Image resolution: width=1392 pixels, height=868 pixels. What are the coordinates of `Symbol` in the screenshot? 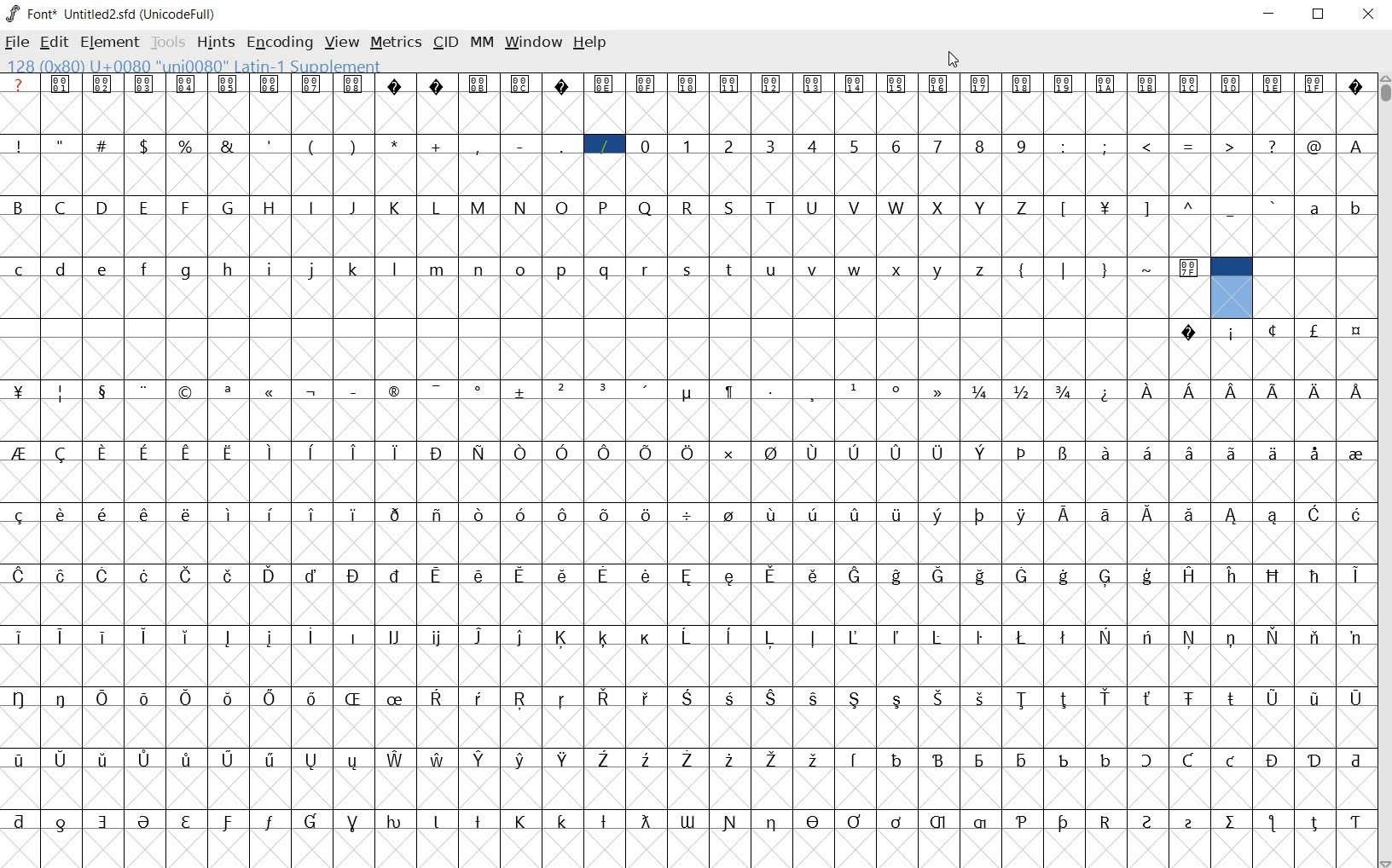 It's located at (106, 635).